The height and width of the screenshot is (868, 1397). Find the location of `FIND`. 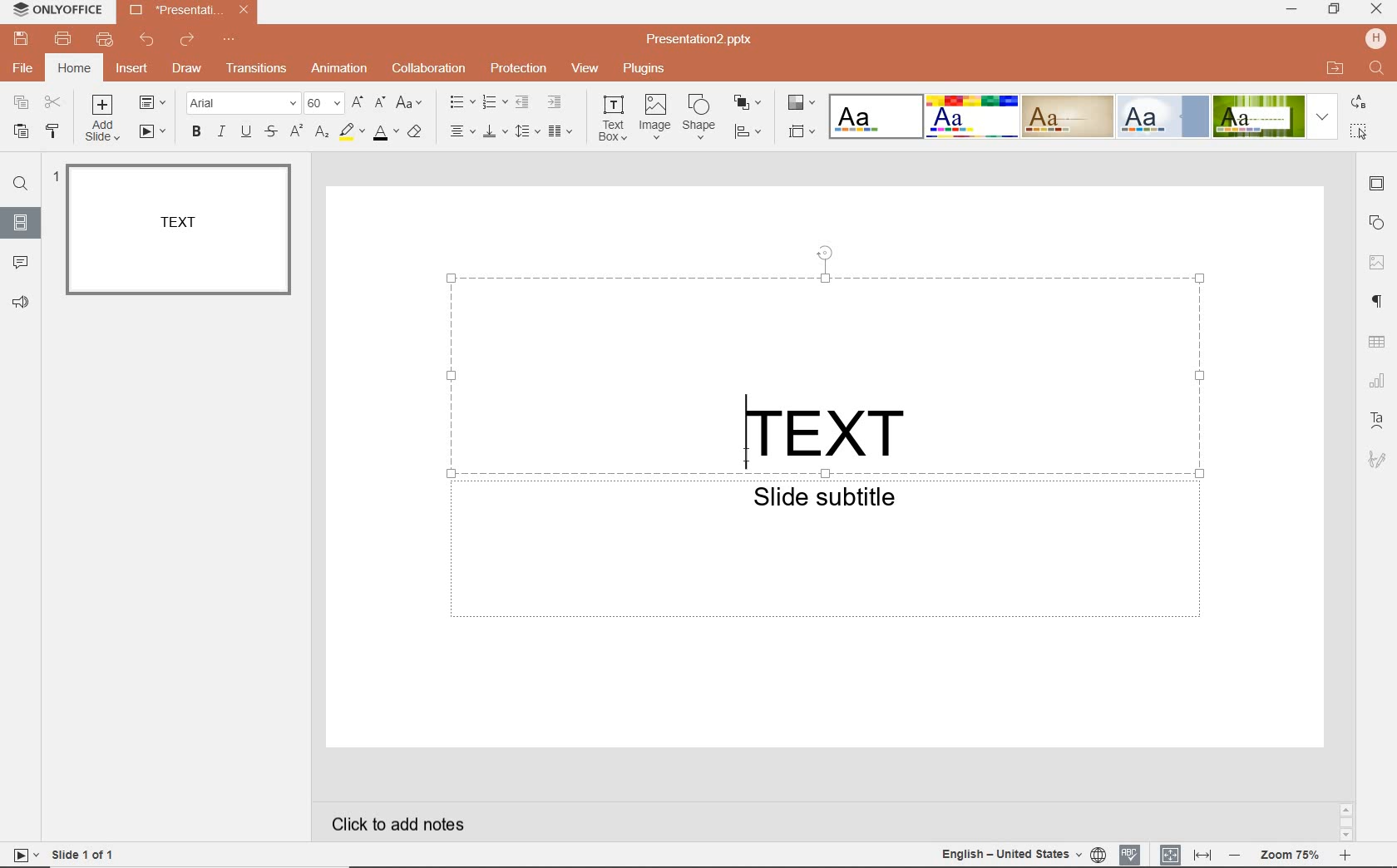

FIND is located at coordinates (21, 184).